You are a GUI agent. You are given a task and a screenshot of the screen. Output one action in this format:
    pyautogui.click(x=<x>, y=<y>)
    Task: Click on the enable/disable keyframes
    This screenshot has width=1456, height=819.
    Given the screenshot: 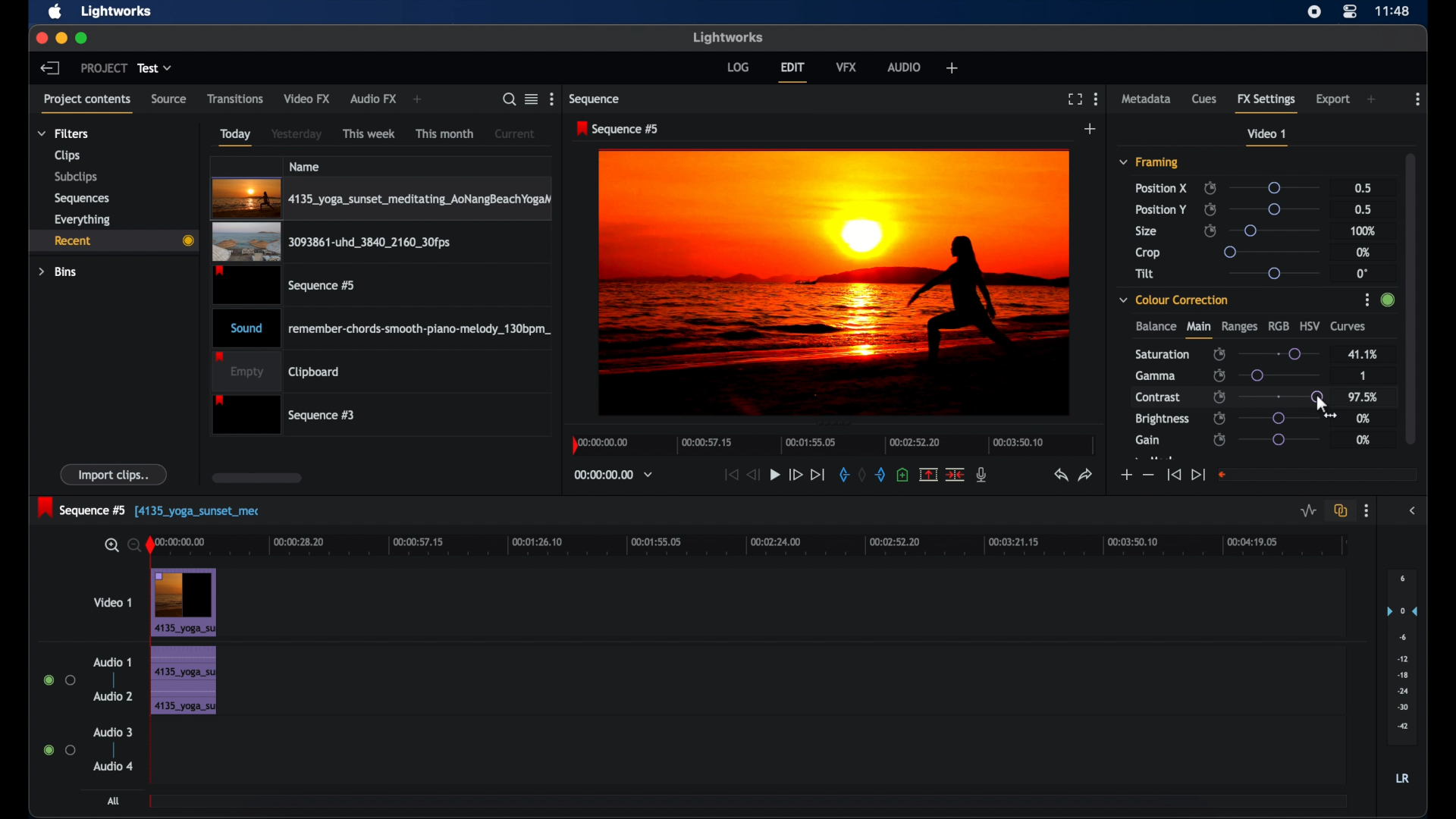 What is the action you would take?
    pyautogui.click(x=1220, y=397)
    